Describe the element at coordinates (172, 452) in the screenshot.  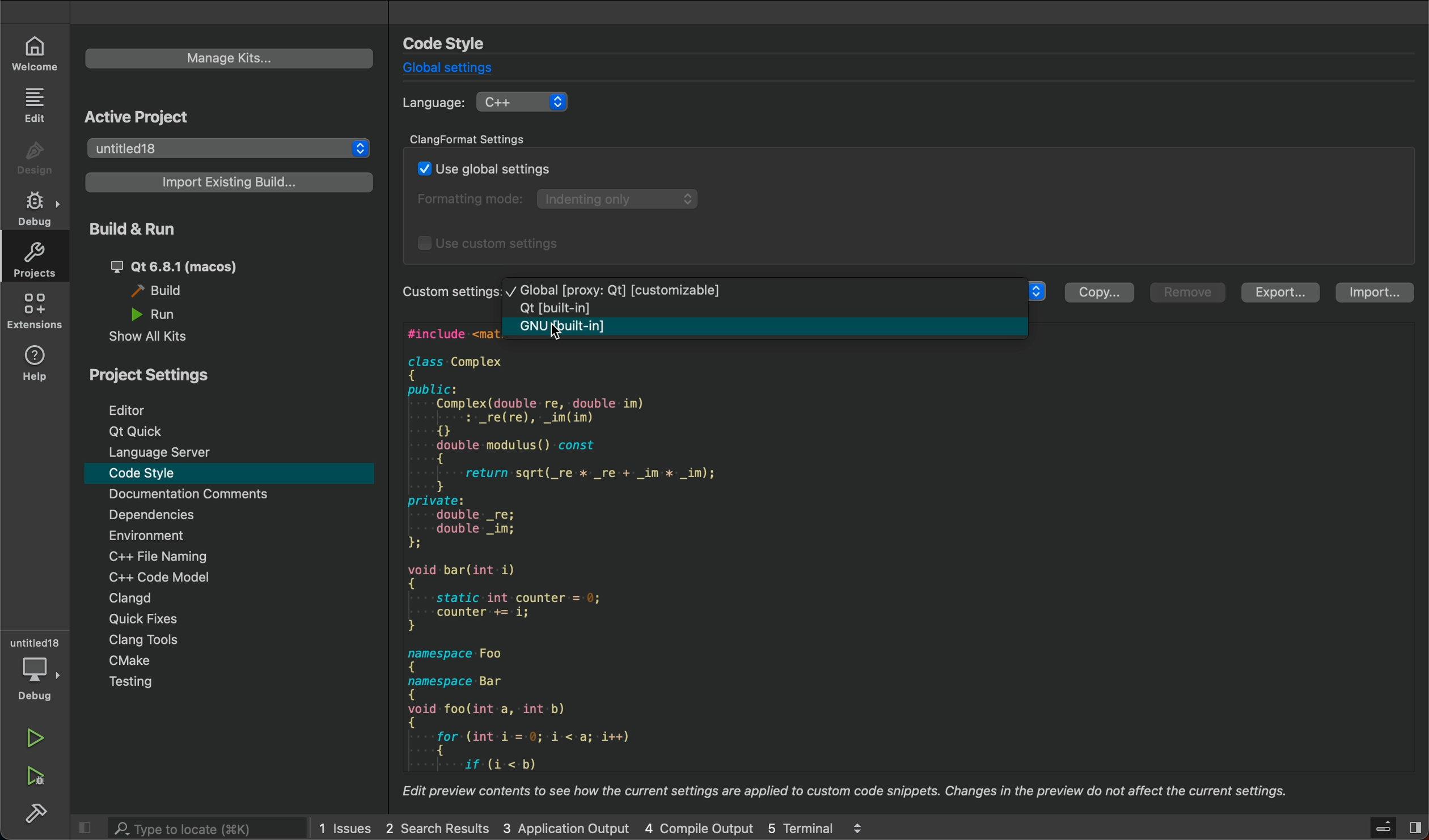
I see `language` at that location.